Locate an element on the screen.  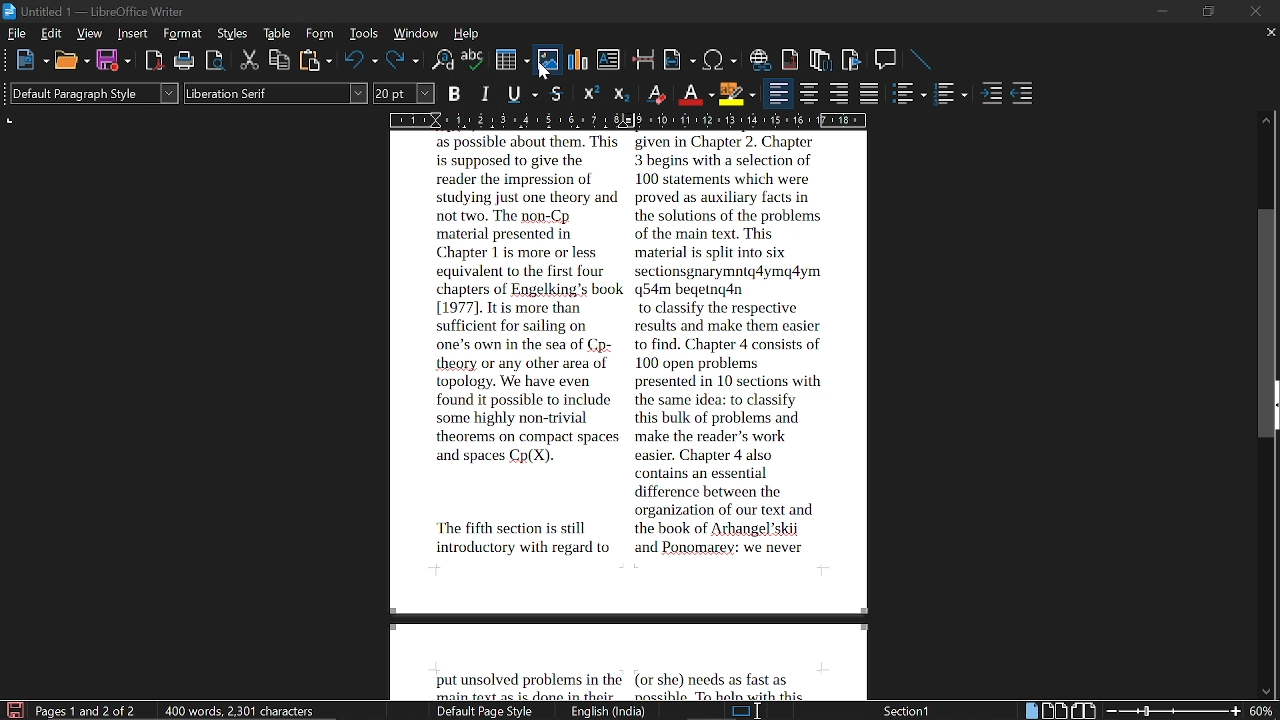
form is located at coordinates (322, 34).